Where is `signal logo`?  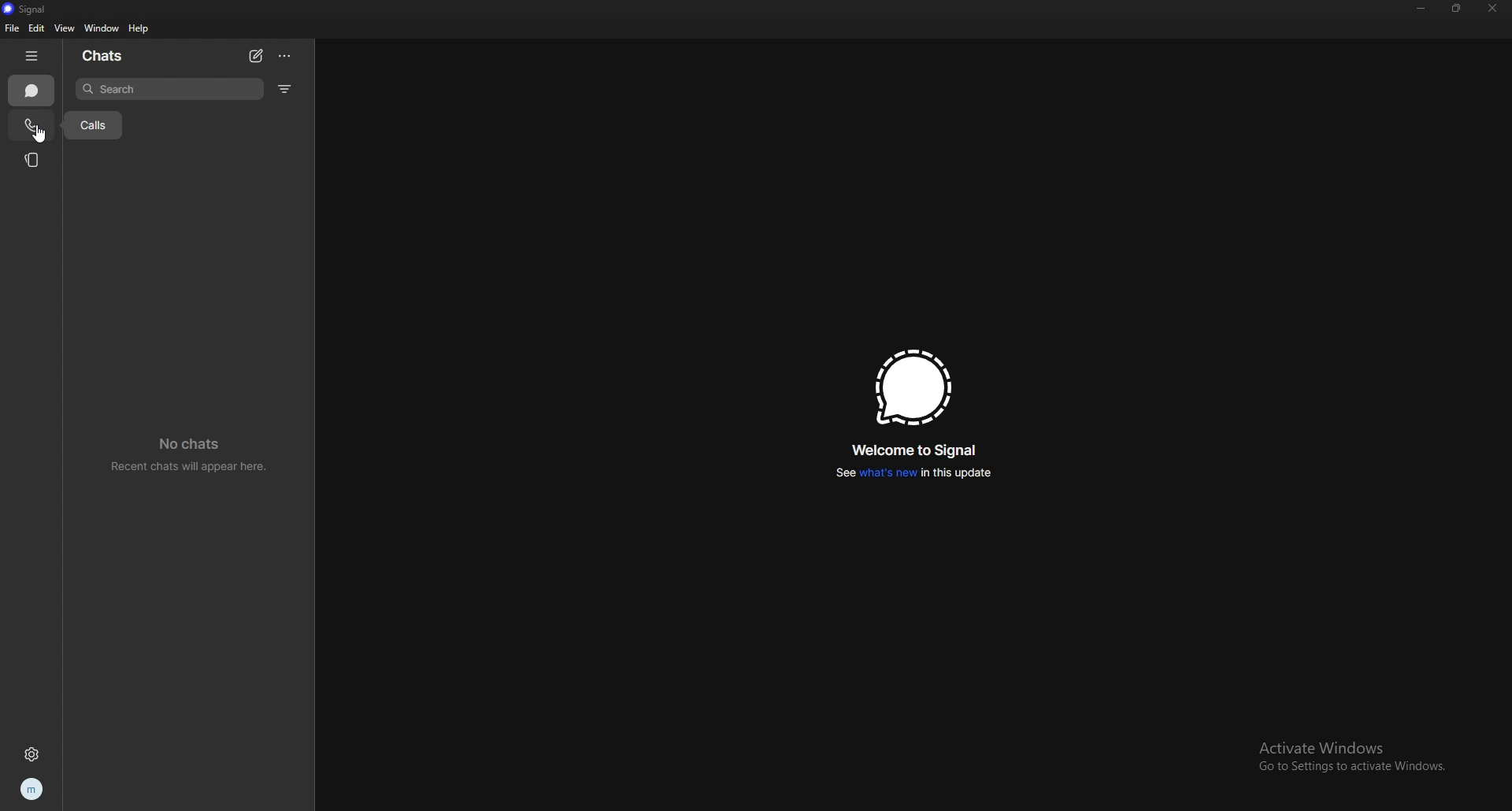 signal logo is located at coordinates (914, 387).